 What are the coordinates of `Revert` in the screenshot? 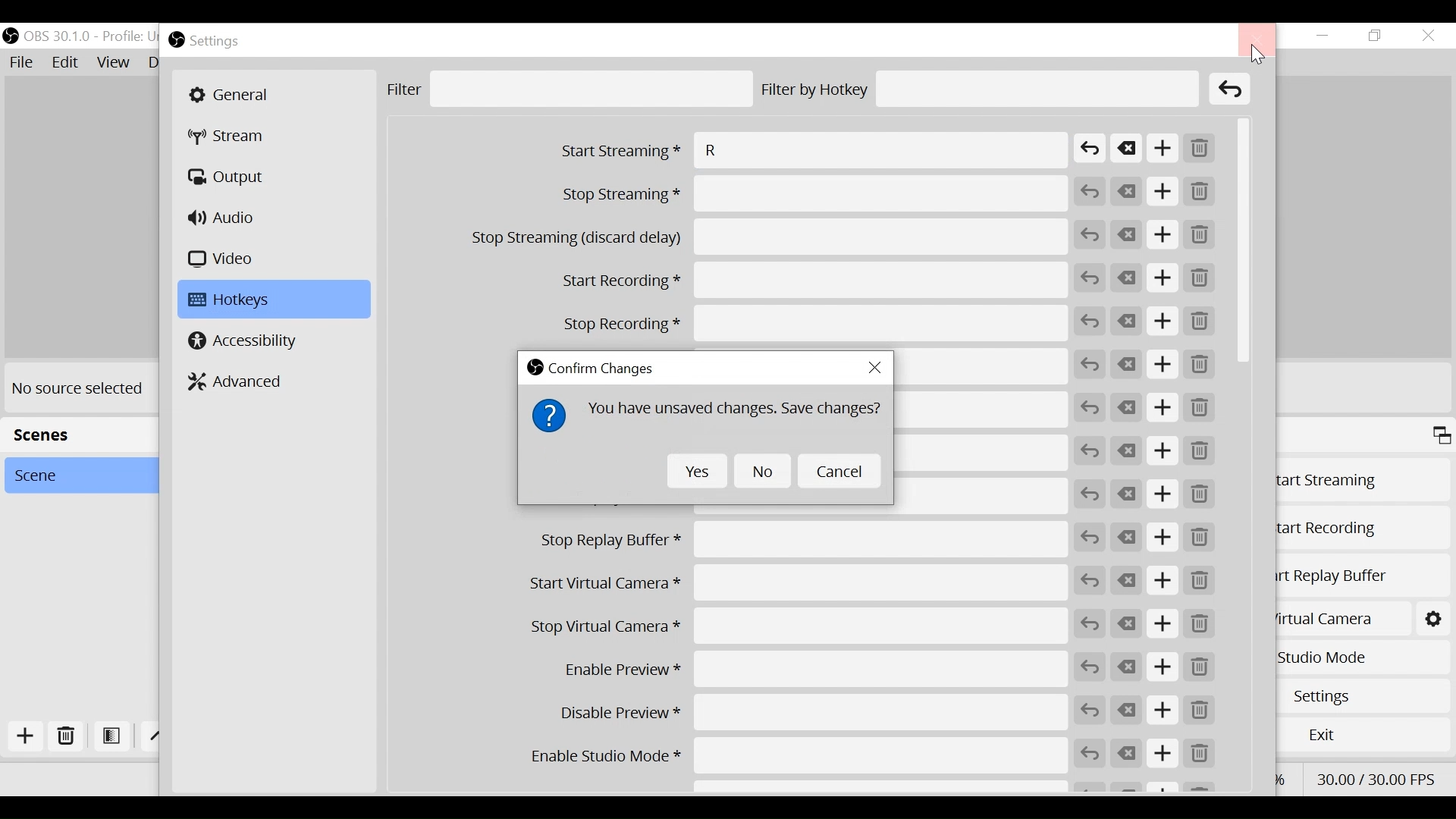 It's located at (1090, 538).